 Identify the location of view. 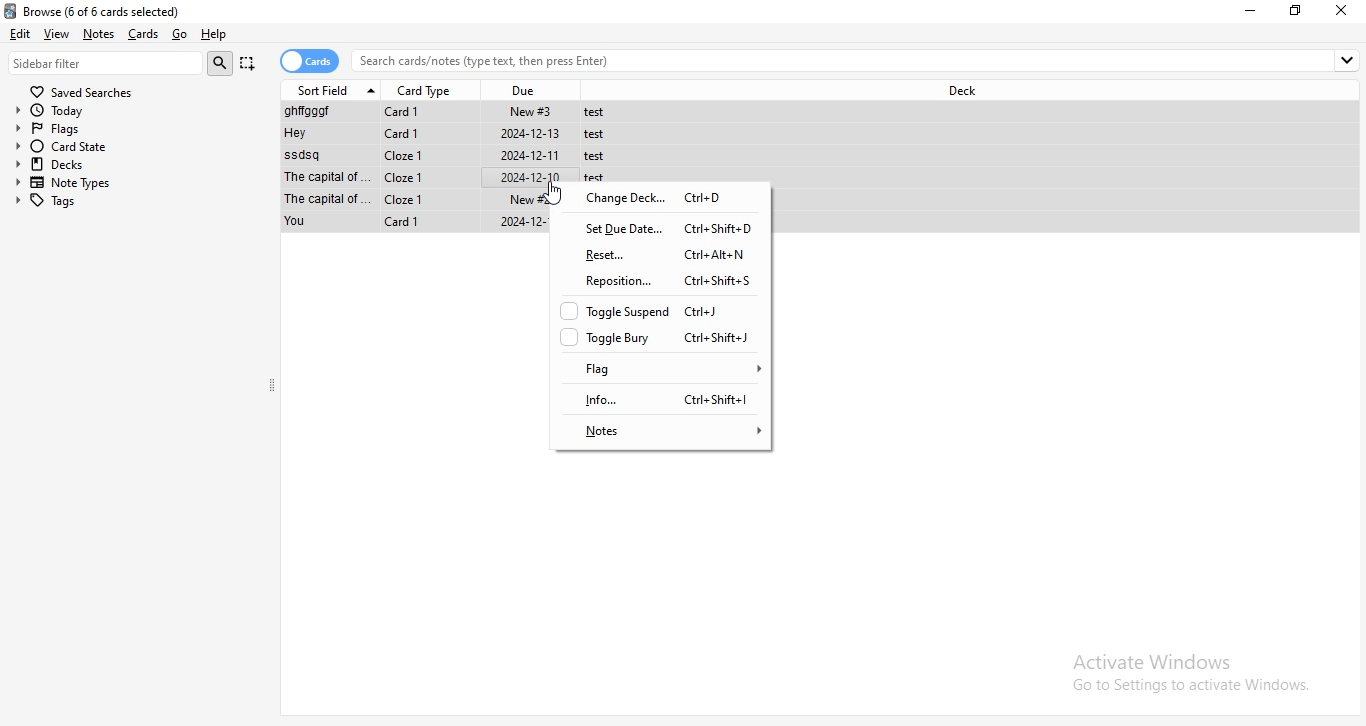
(58, 33).